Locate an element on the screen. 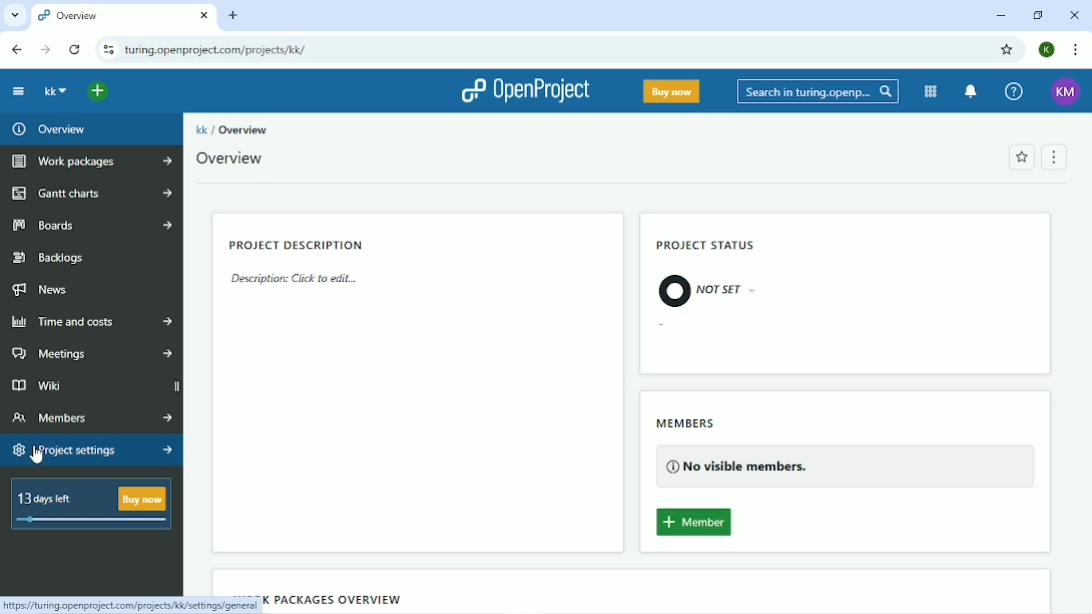 This screenshot has width=1092, height=614. News is located at coordinates (40, 291).